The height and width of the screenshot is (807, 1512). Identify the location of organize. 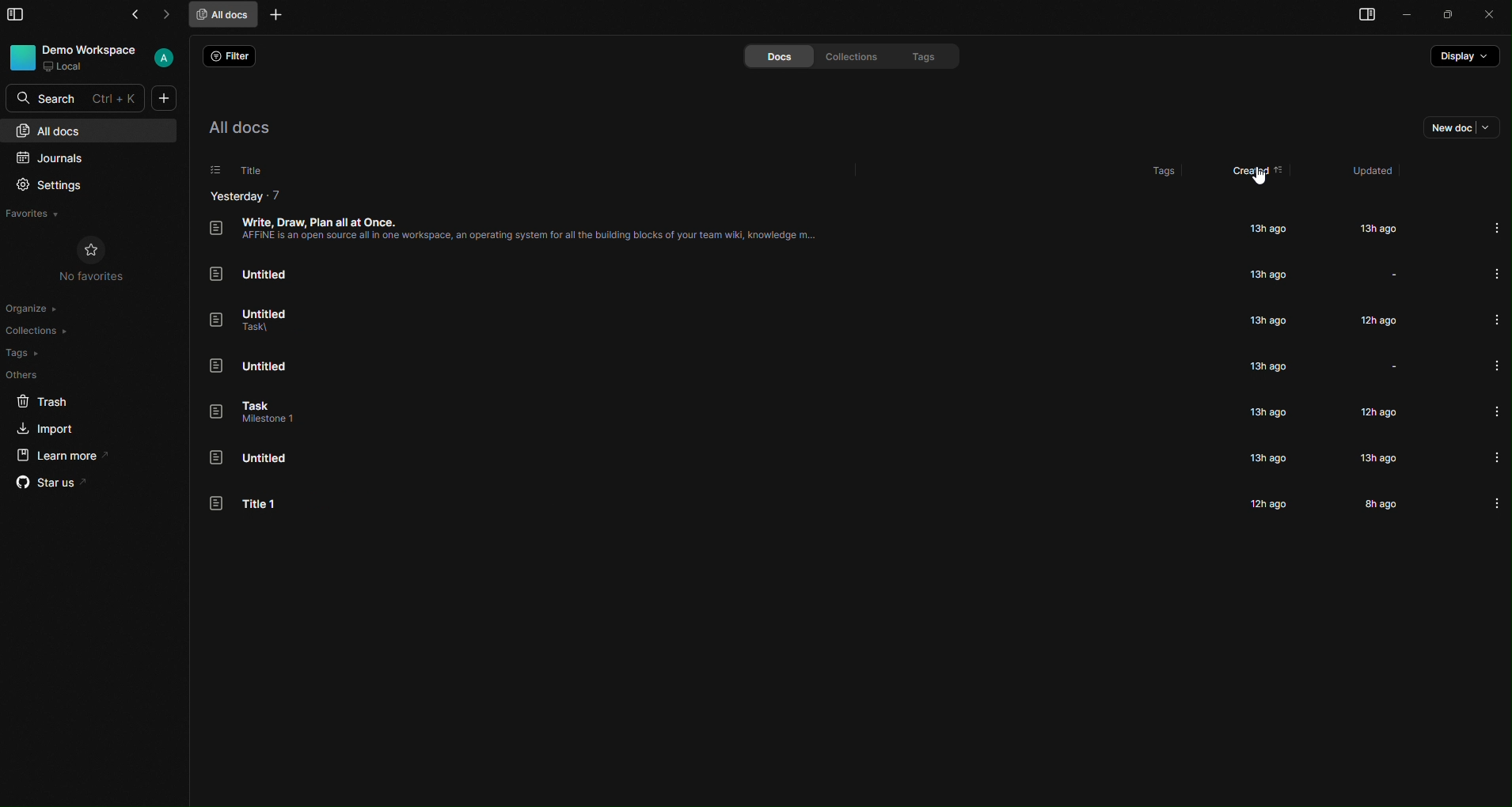
(33, 311).